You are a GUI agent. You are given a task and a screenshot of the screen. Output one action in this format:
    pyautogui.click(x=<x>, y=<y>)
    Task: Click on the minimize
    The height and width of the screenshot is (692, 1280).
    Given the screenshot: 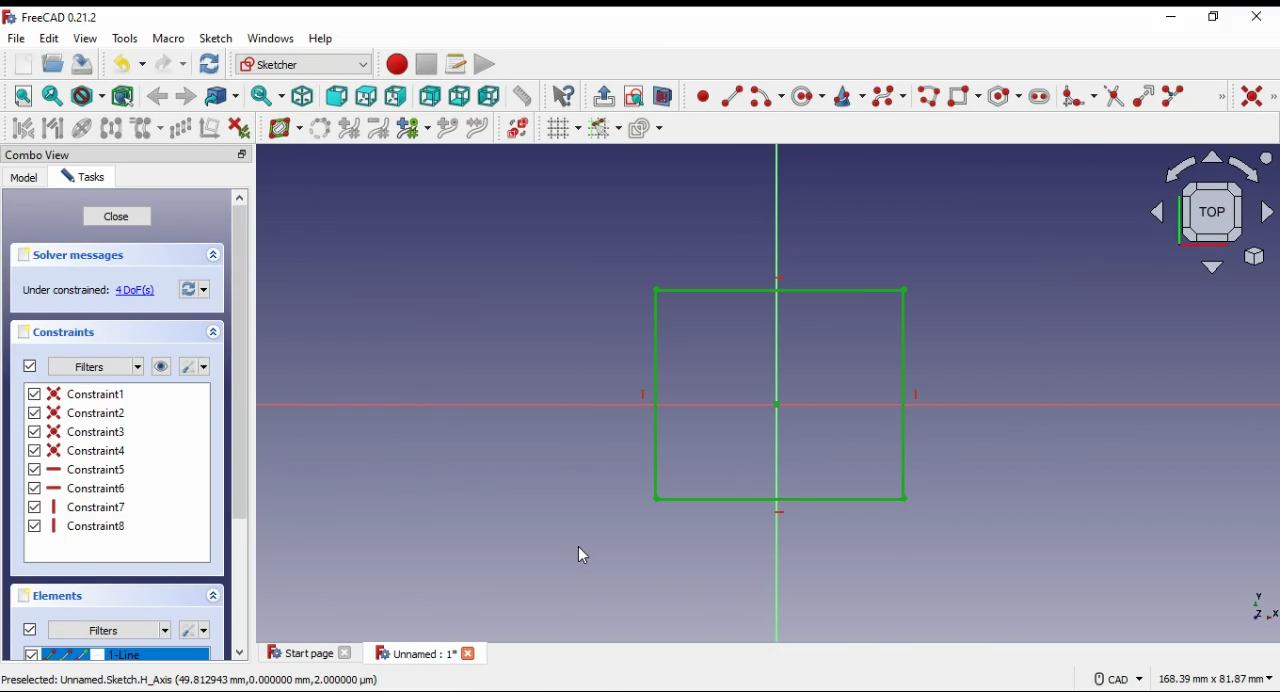 What is the action you would take?
    pyautogui.click(x=242, y=154)
    